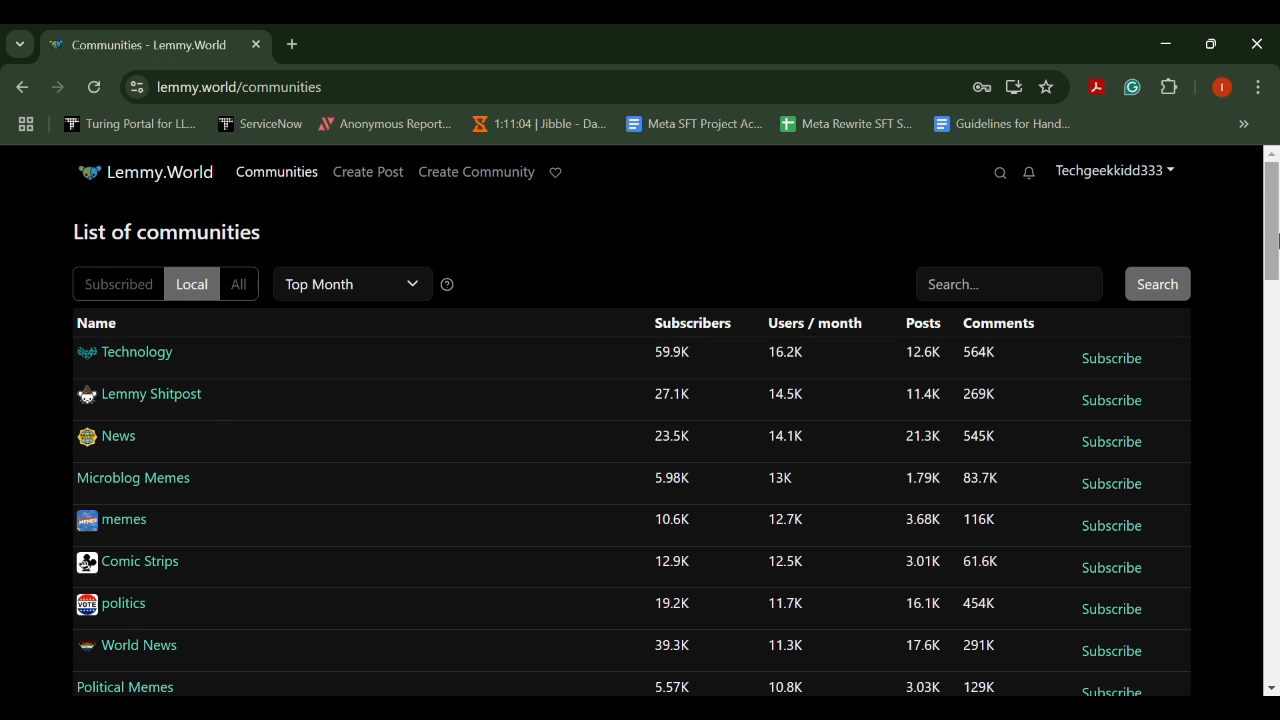 This screenshot has width=1280, height=720. What do you see at coordinates (977, 437) in the screenshot?
I see `545K` at bounding box center [977, 437].